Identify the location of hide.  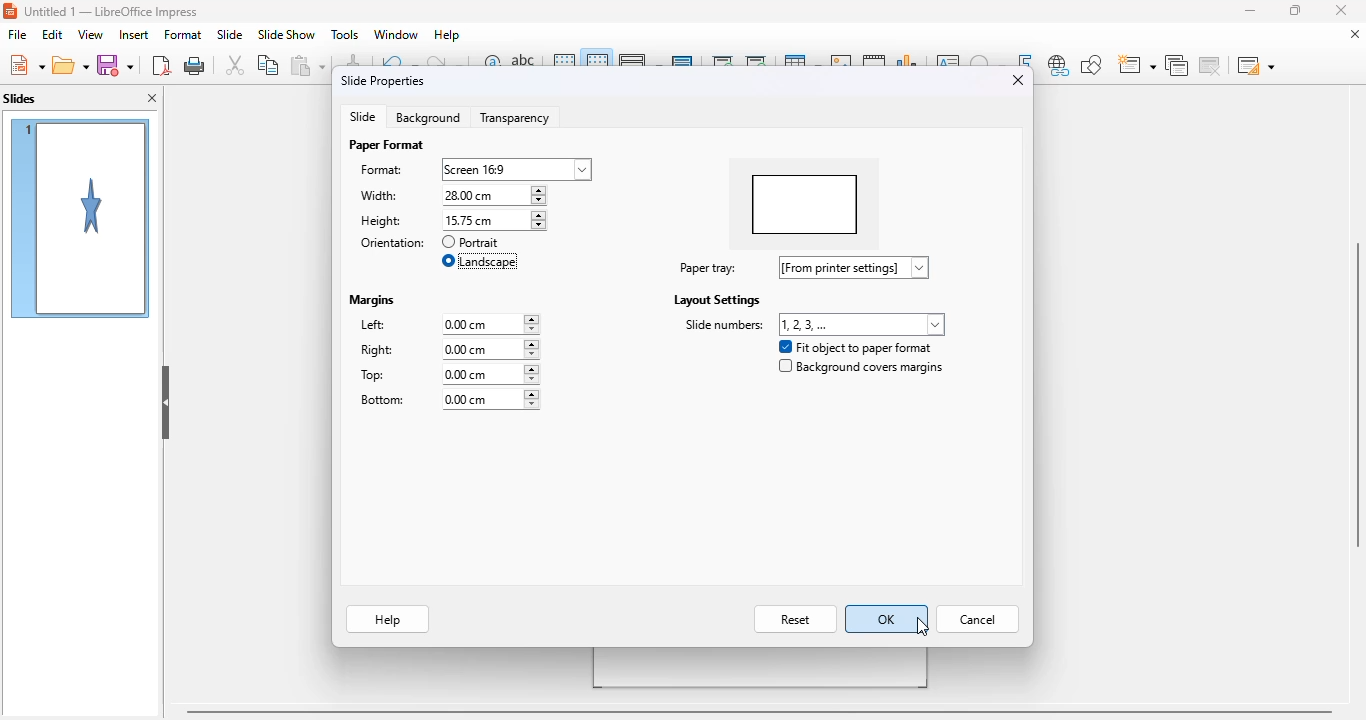
(165, 401).